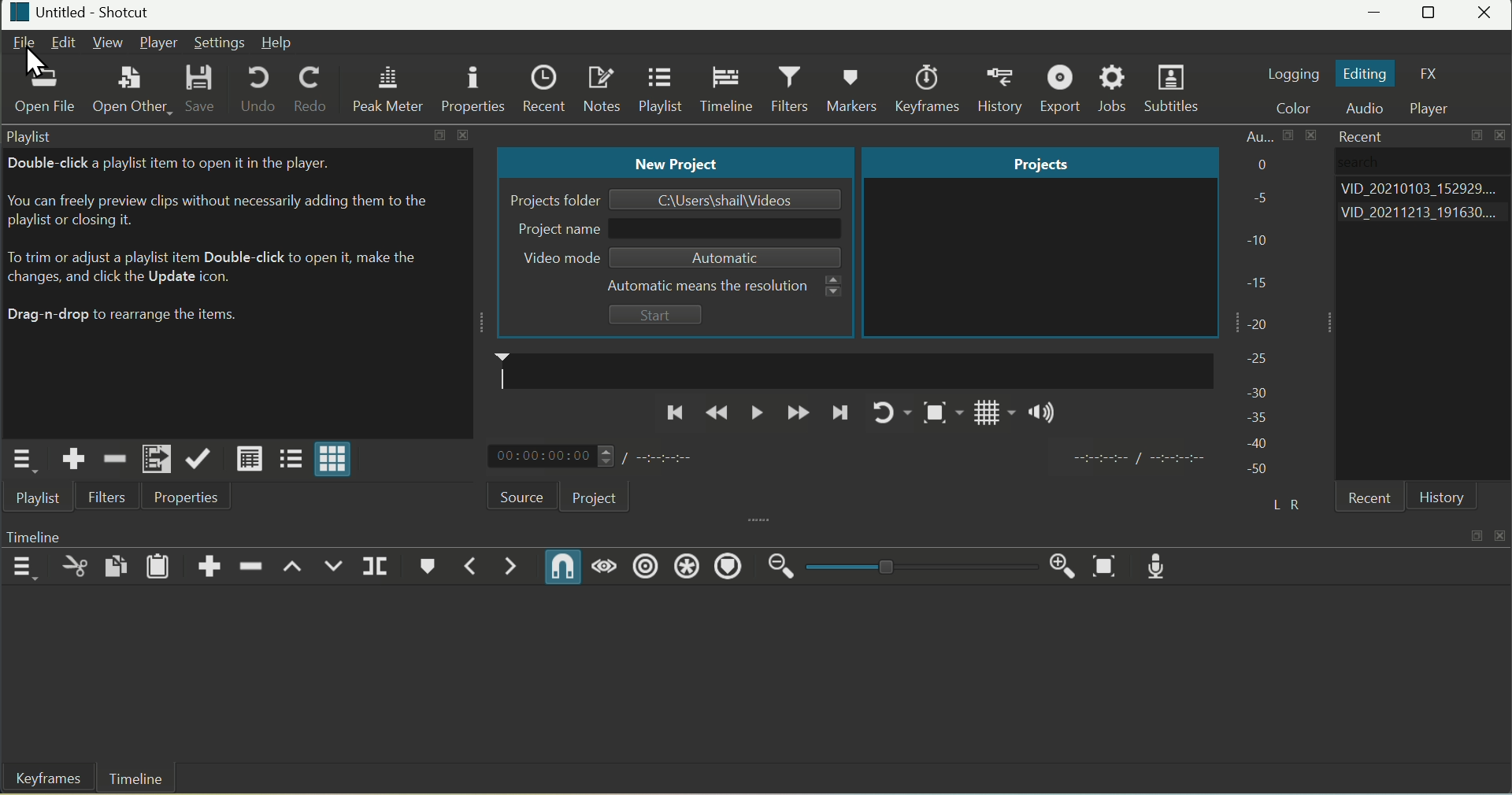  Describe the element at coordinates (733, 568) in the screenshot. I see `Ripple Markers` at that location.